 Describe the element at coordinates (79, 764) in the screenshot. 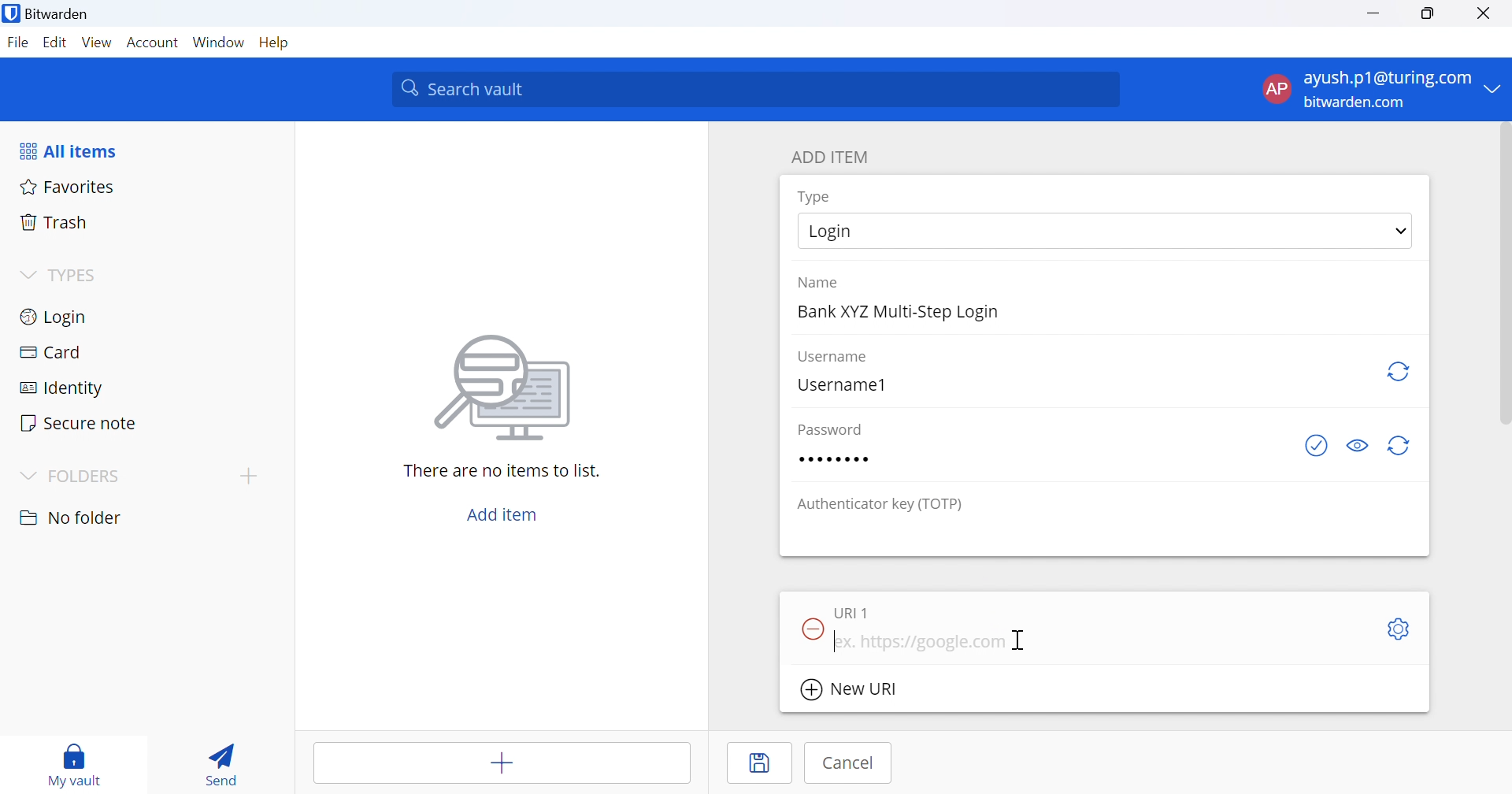

I see `my vault` at that location.